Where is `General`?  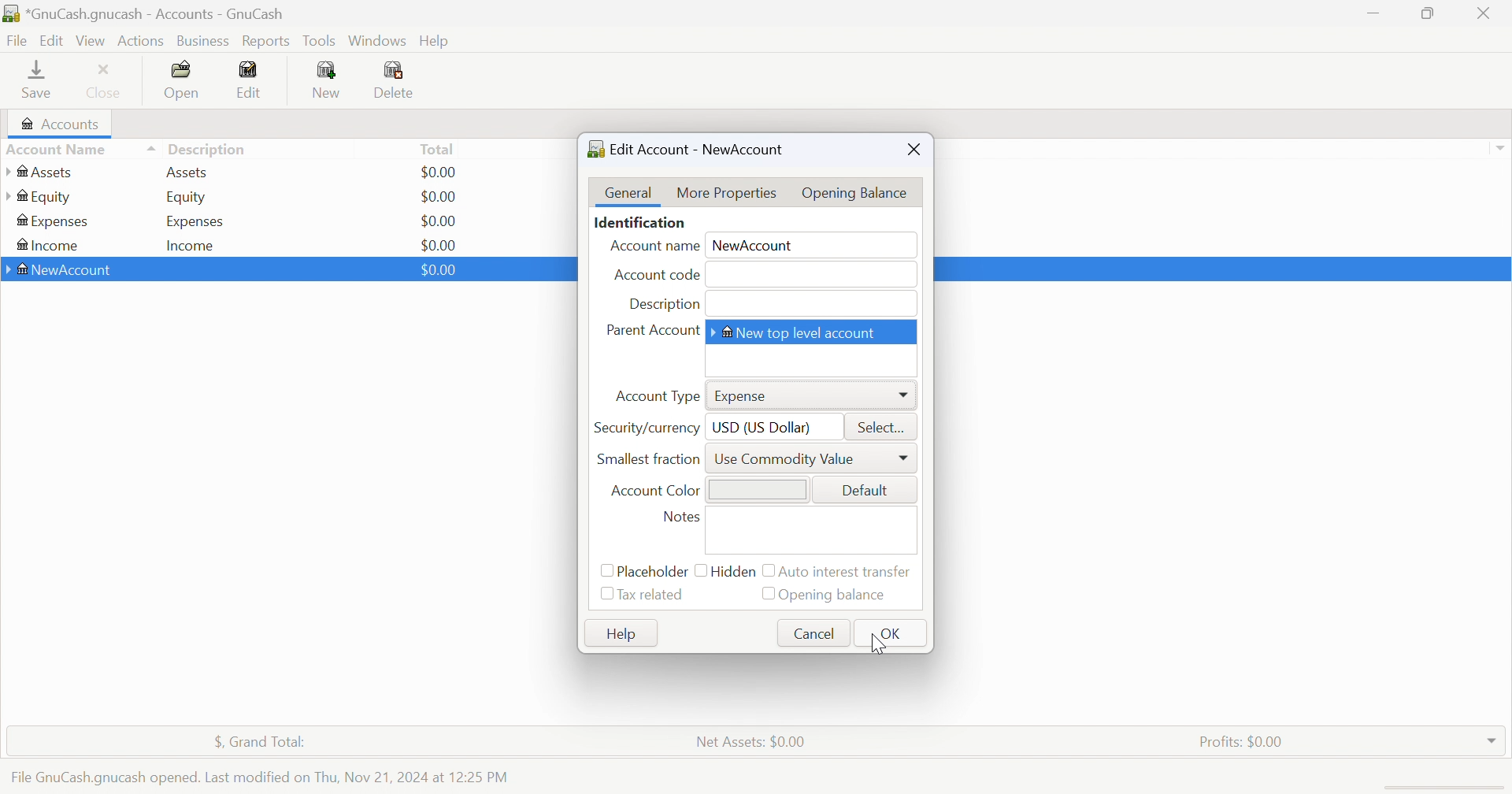
General is located at coordinates (630, 193).